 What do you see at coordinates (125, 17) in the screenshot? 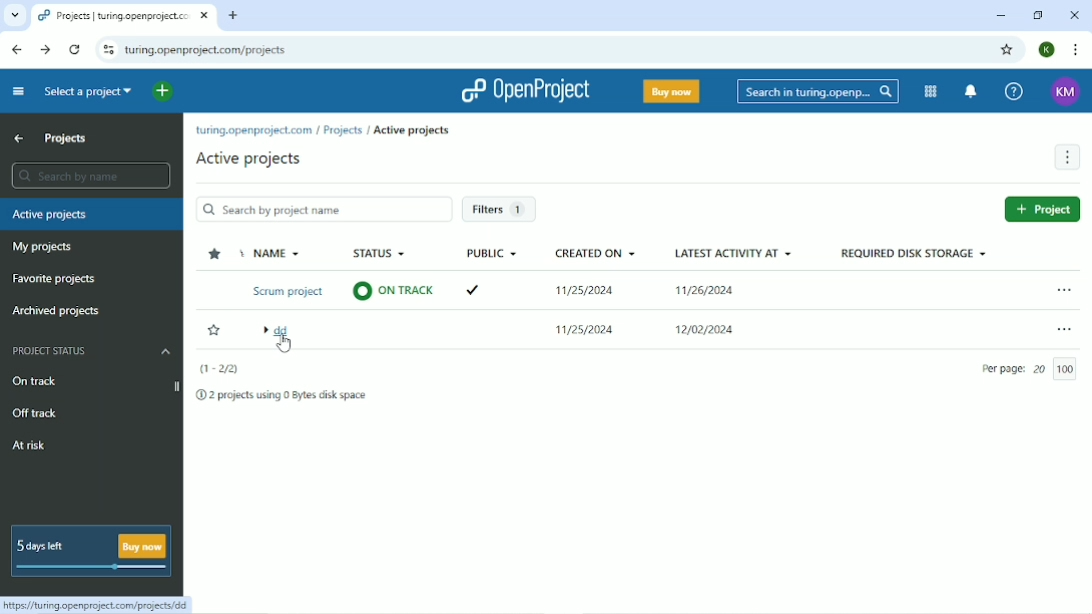
I see `Projects turing openpropect.-` at bounding box center [125, 17].